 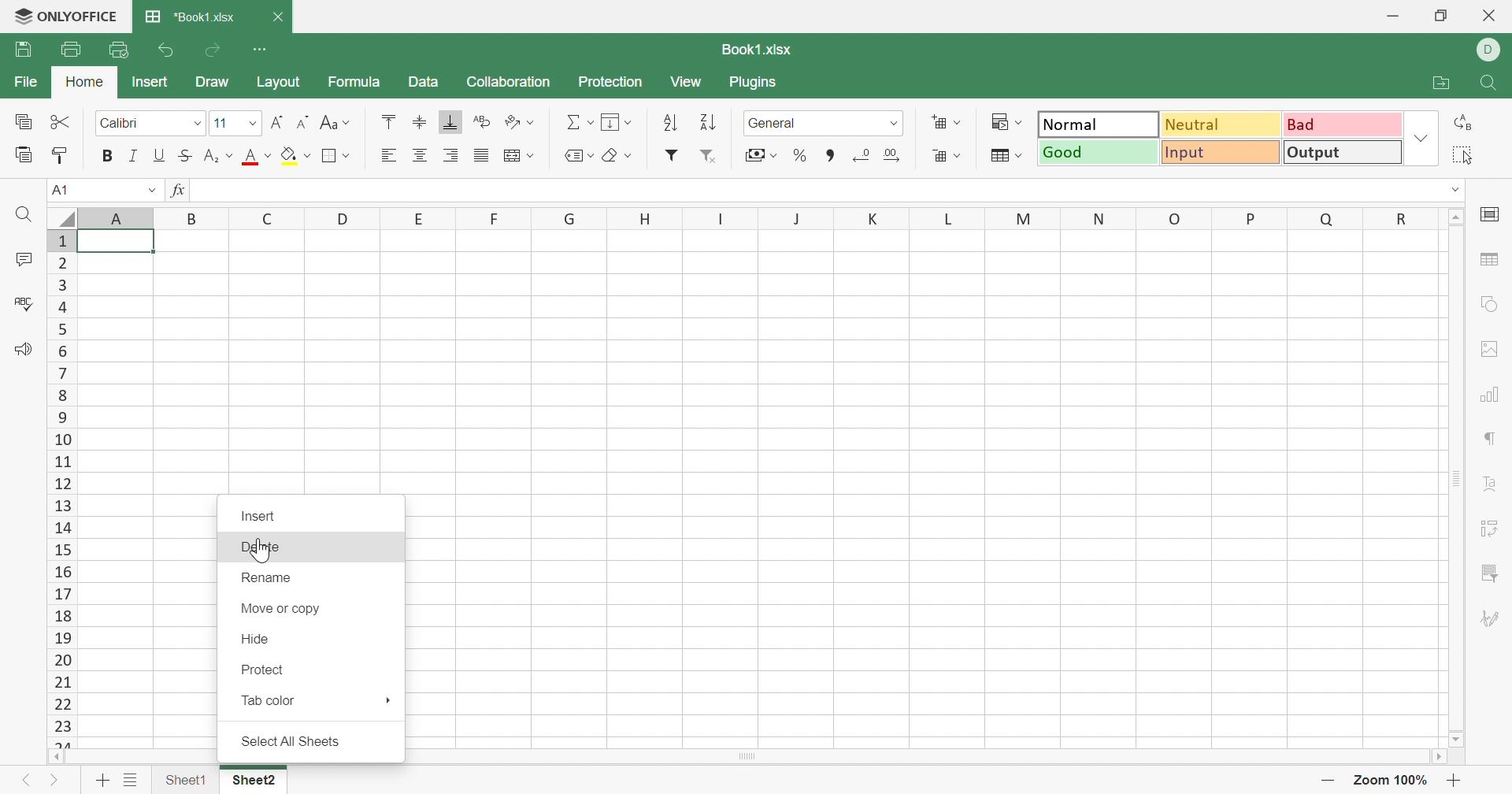 What do you see at coordinates (268, 155) in the screenshot?
I see `Drop Down` at bounding box center [268, 155].